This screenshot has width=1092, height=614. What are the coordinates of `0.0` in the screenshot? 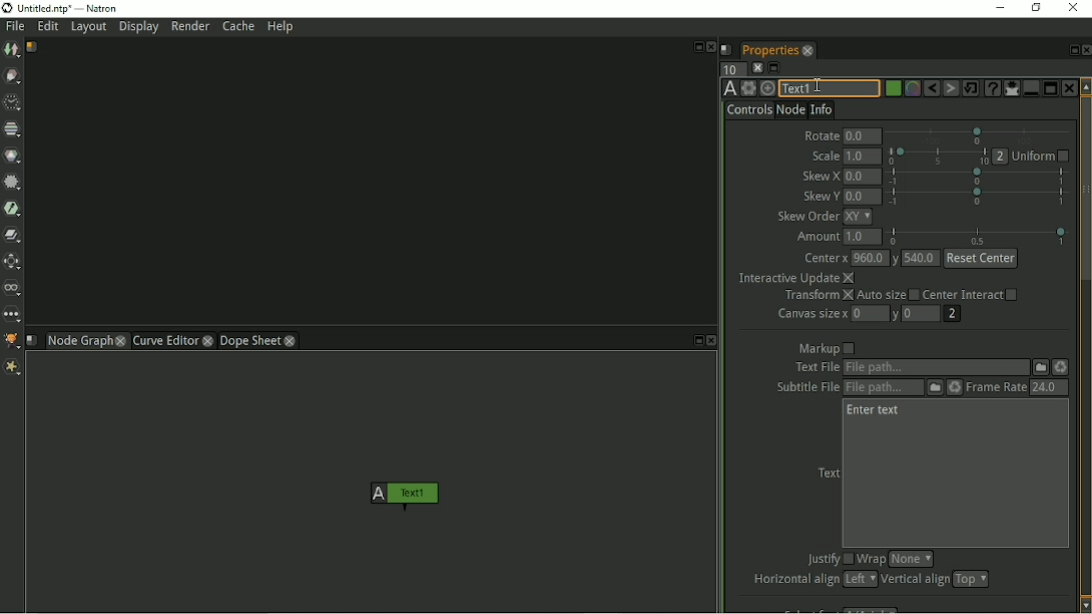 It's located at (862, 197).